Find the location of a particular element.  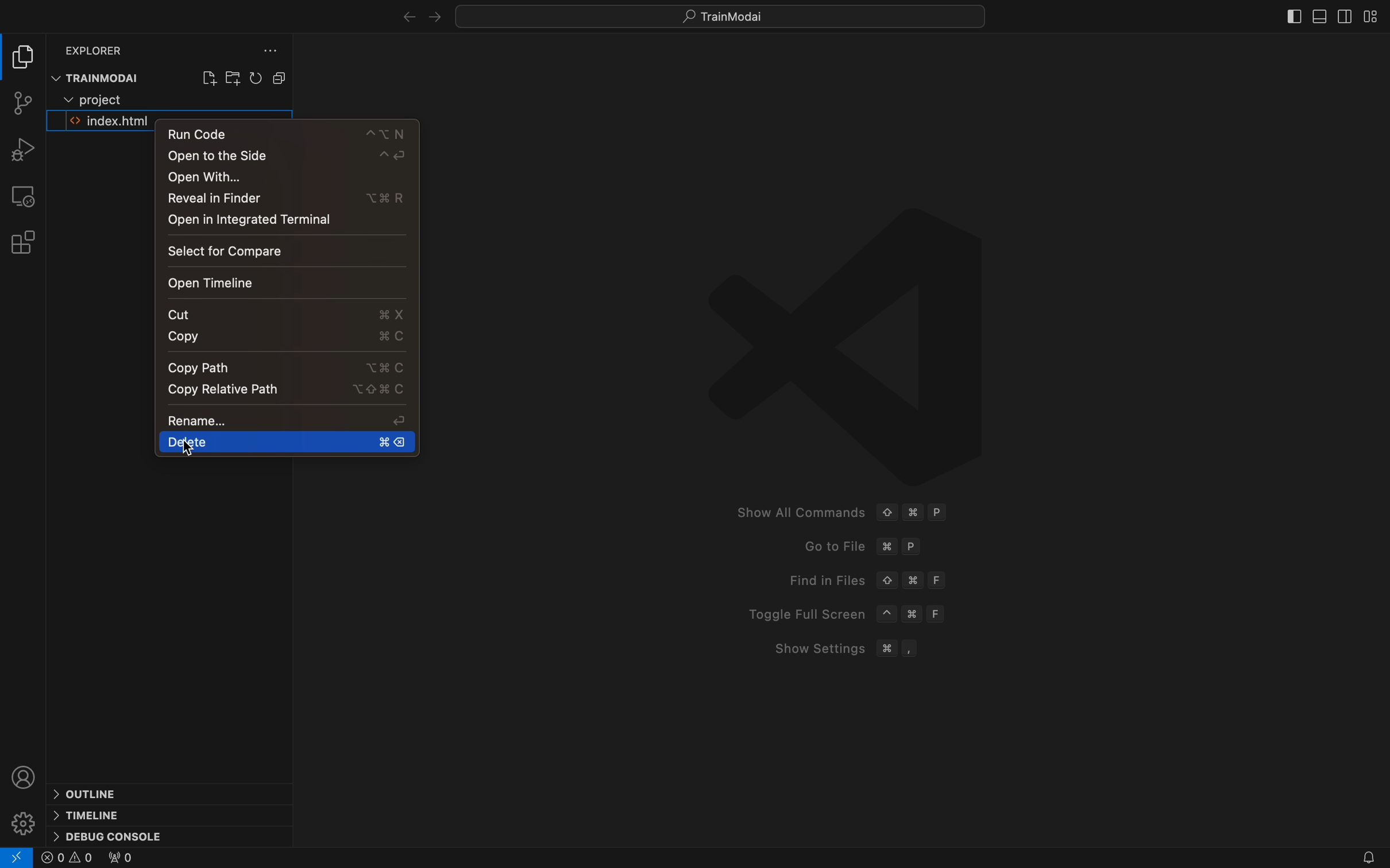

SHow All is located at coordinates (858, 514).